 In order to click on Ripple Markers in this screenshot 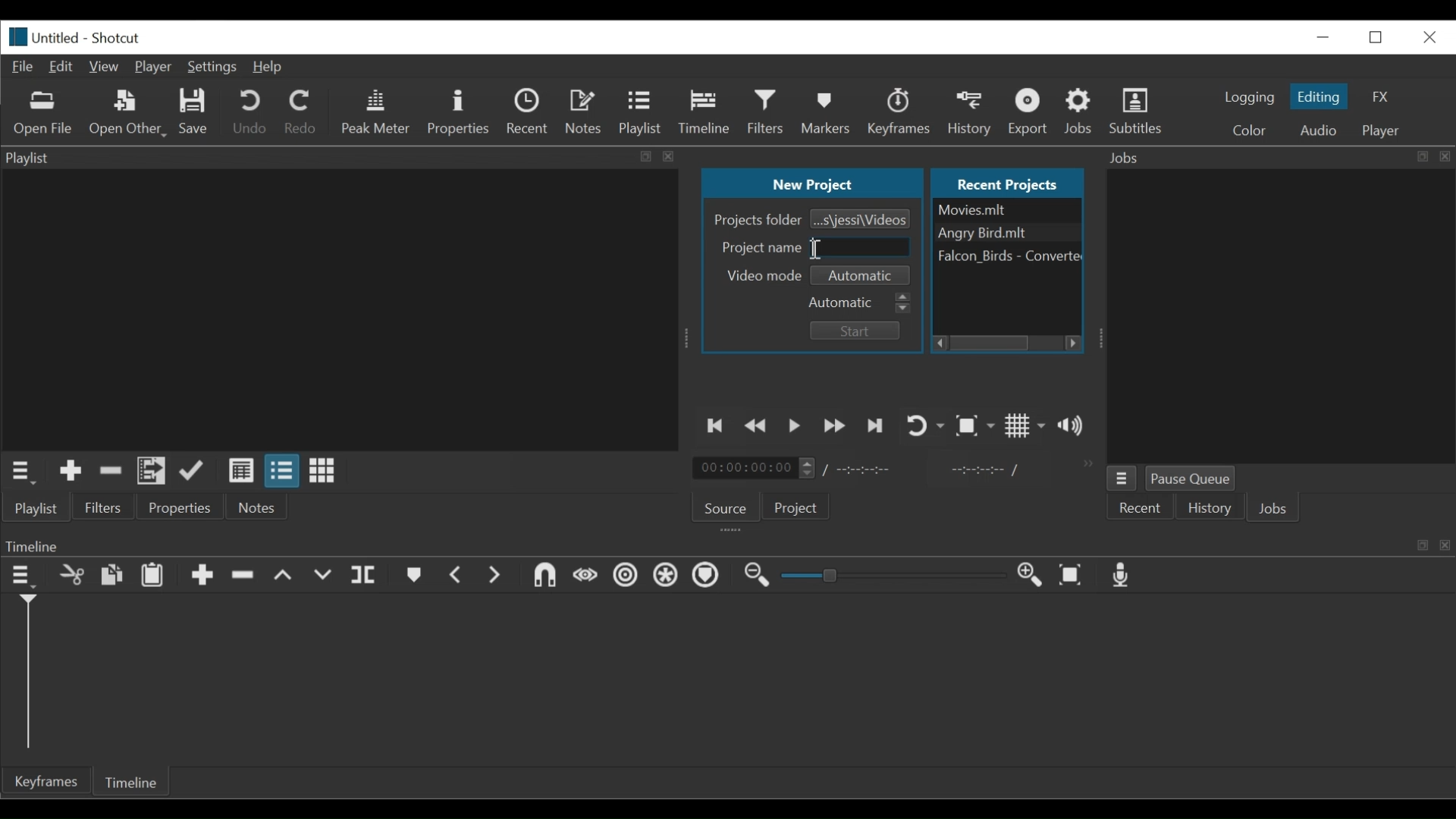, I will do `click(708, 576)`.